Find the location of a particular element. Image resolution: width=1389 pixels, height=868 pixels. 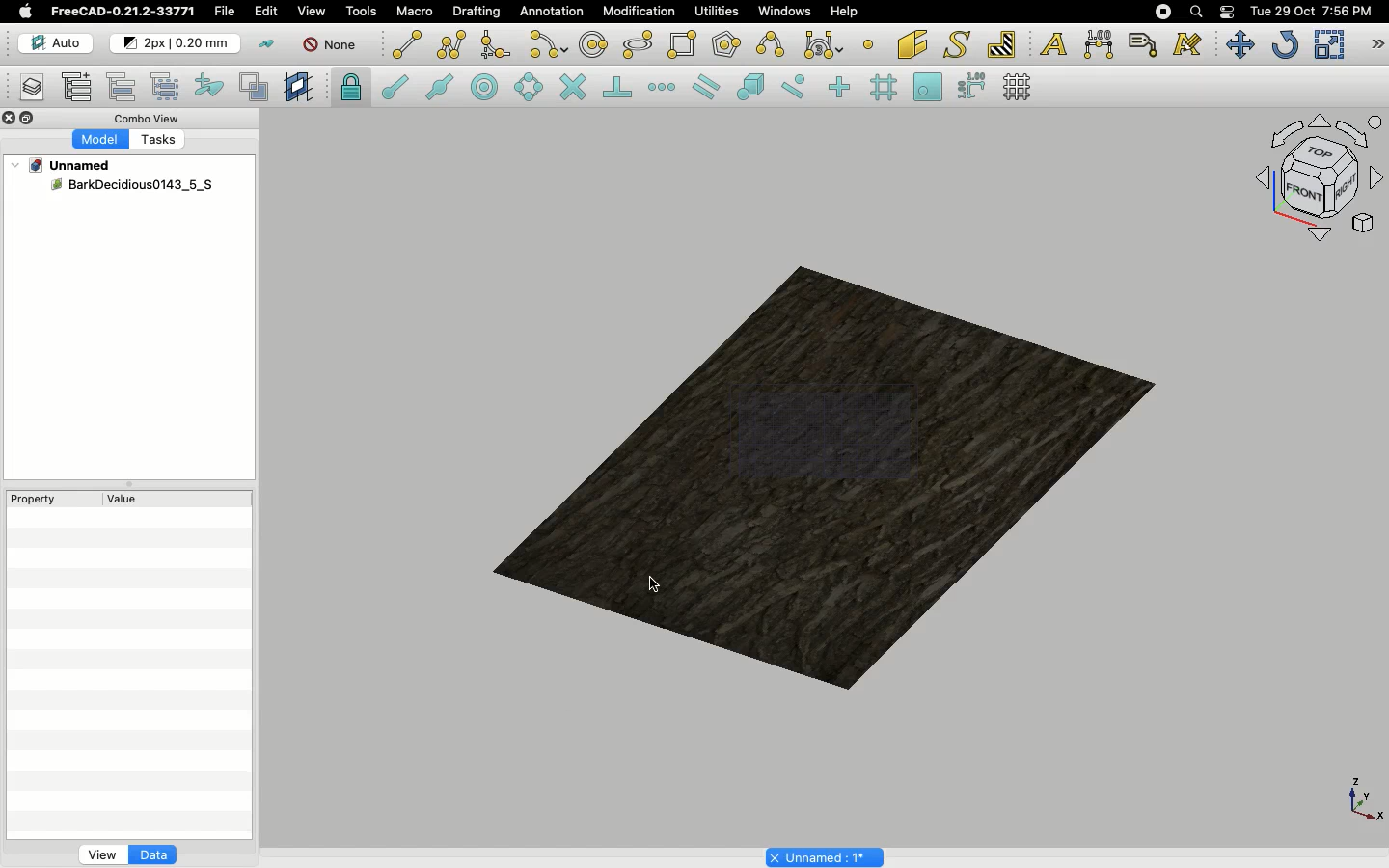

Annotation styles is located at coordinates (1188, 44).